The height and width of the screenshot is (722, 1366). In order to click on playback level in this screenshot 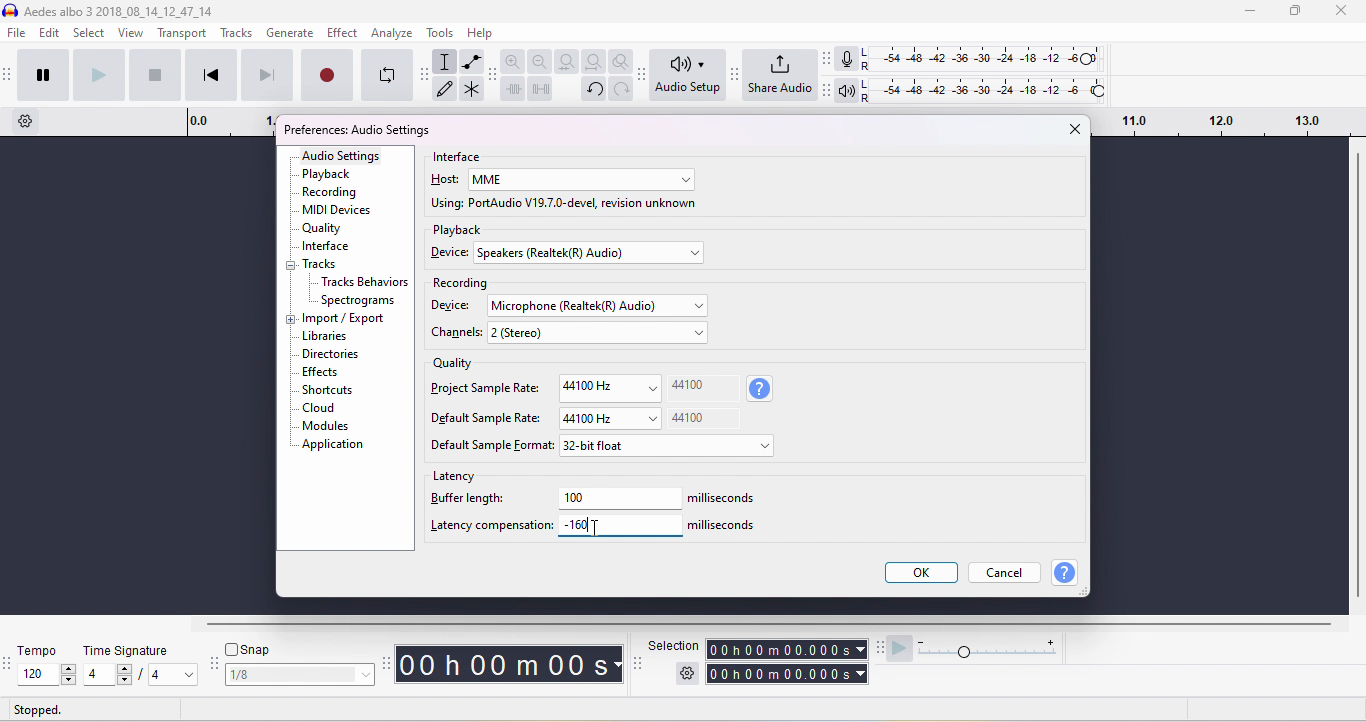, I will do `click(990, 87)`.